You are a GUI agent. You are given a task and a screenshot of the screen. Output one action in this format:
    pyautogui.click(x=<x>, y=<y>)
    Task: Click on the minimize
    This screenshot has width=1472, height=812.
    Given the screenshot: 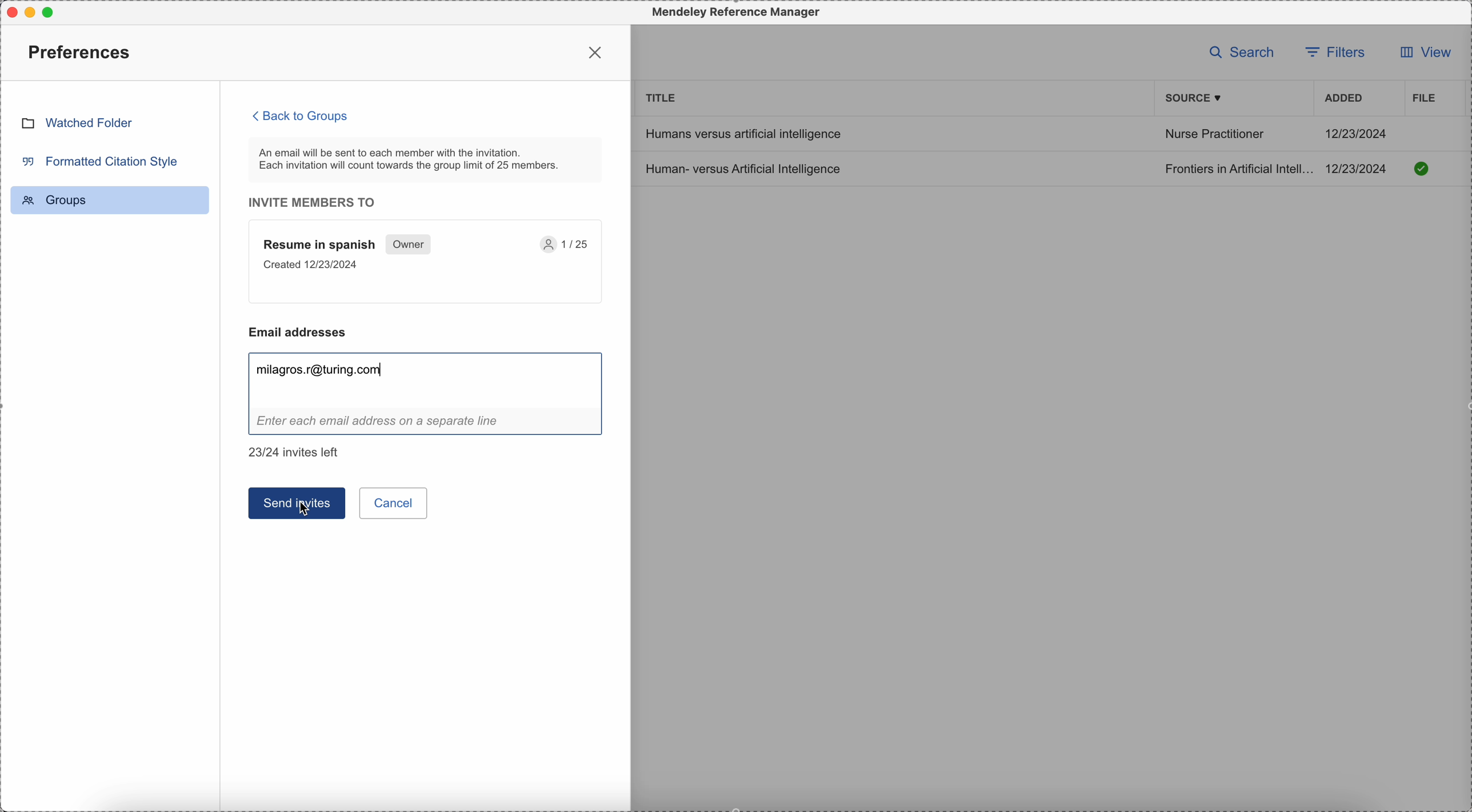 What is the action you would take?
    pyautogui.click(x=33, y=12)
    